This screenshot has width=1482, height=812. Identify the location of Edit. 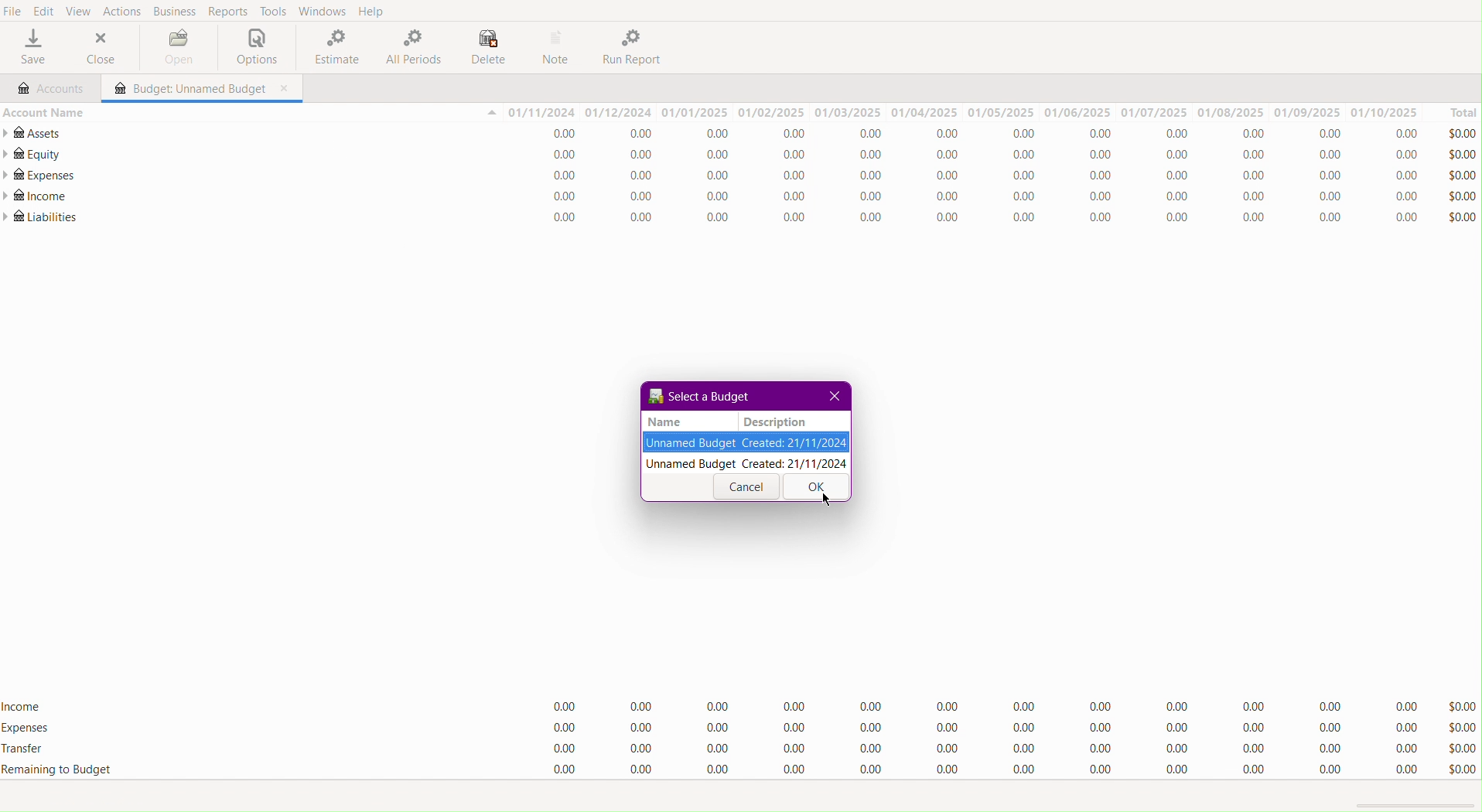
(42, 12).